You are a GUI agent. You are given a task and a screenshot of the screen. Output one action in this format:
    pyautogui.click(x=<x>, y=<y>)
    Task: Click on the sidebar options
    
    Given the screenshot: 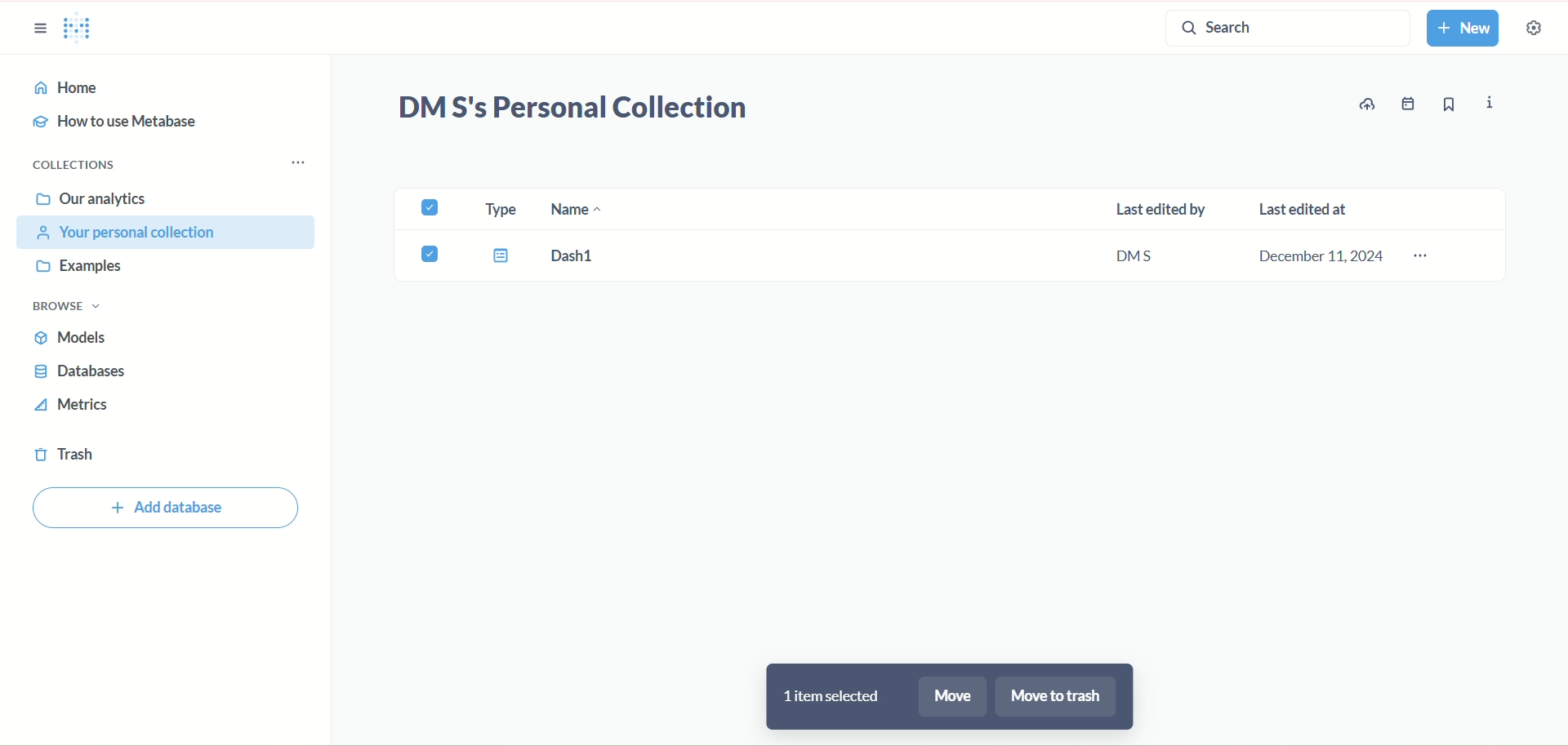 What is the action you would take?
    pyautogui.click(x=37, y=29)
    